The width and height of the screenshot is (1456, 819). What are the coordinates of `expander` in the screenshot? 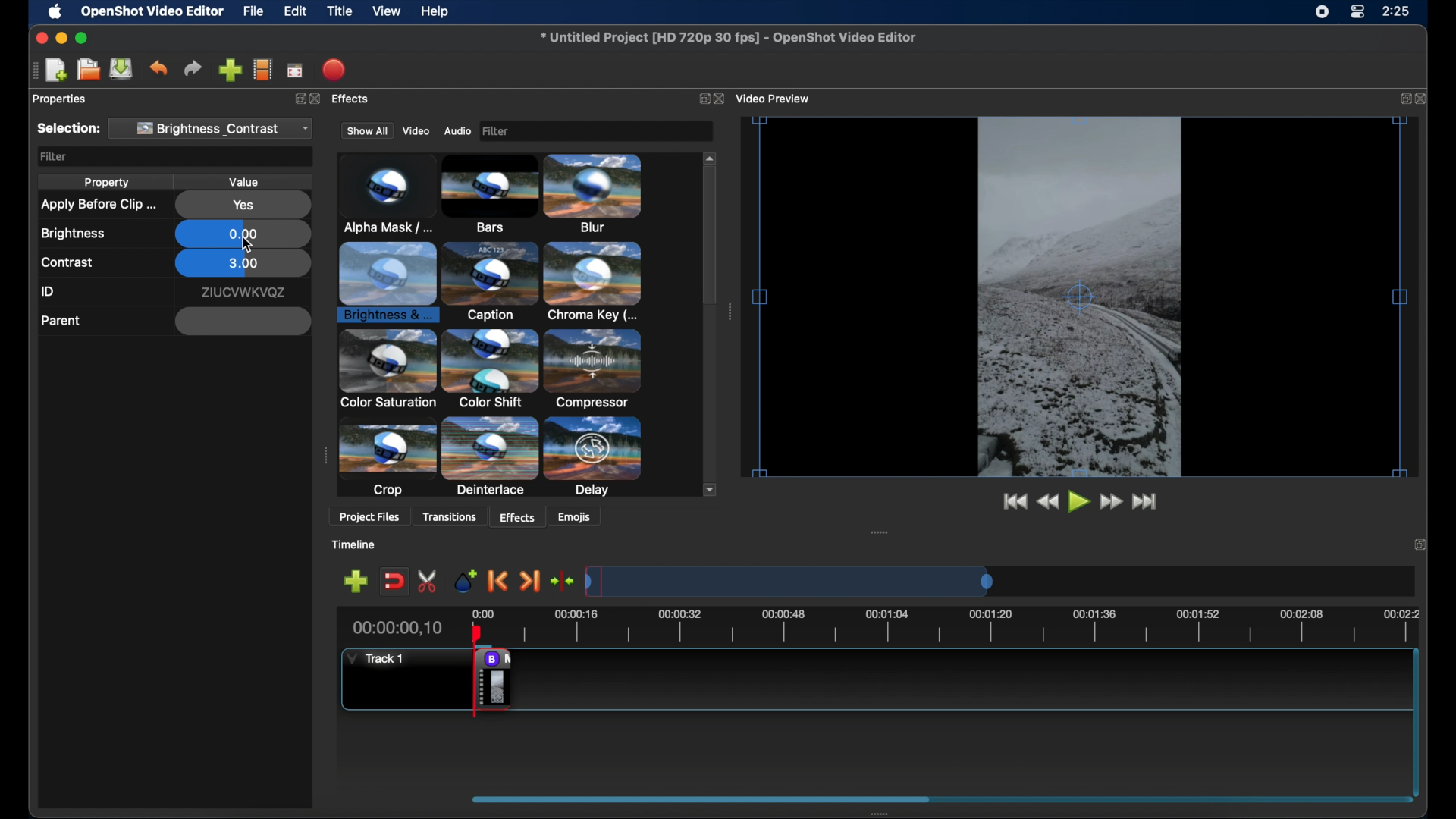 It's located at (491, 460).